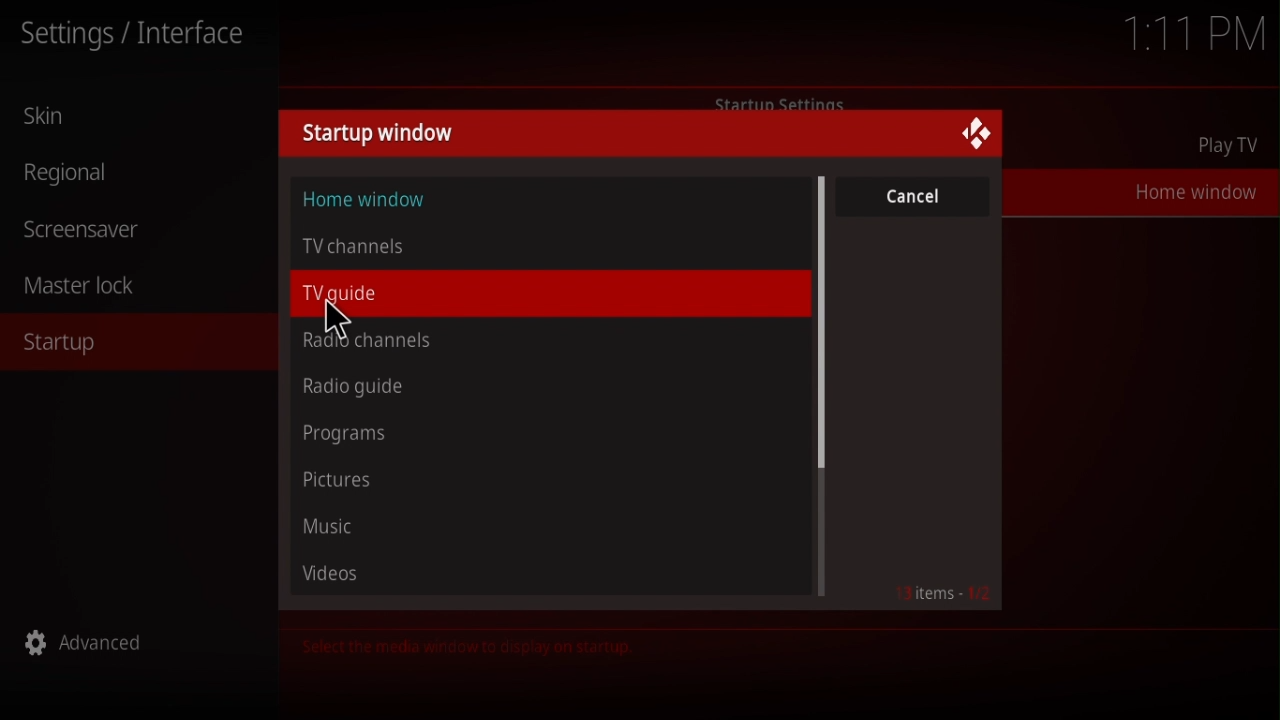 The image size is (1280, 720). I want to click on pictures, so click(343, 477).